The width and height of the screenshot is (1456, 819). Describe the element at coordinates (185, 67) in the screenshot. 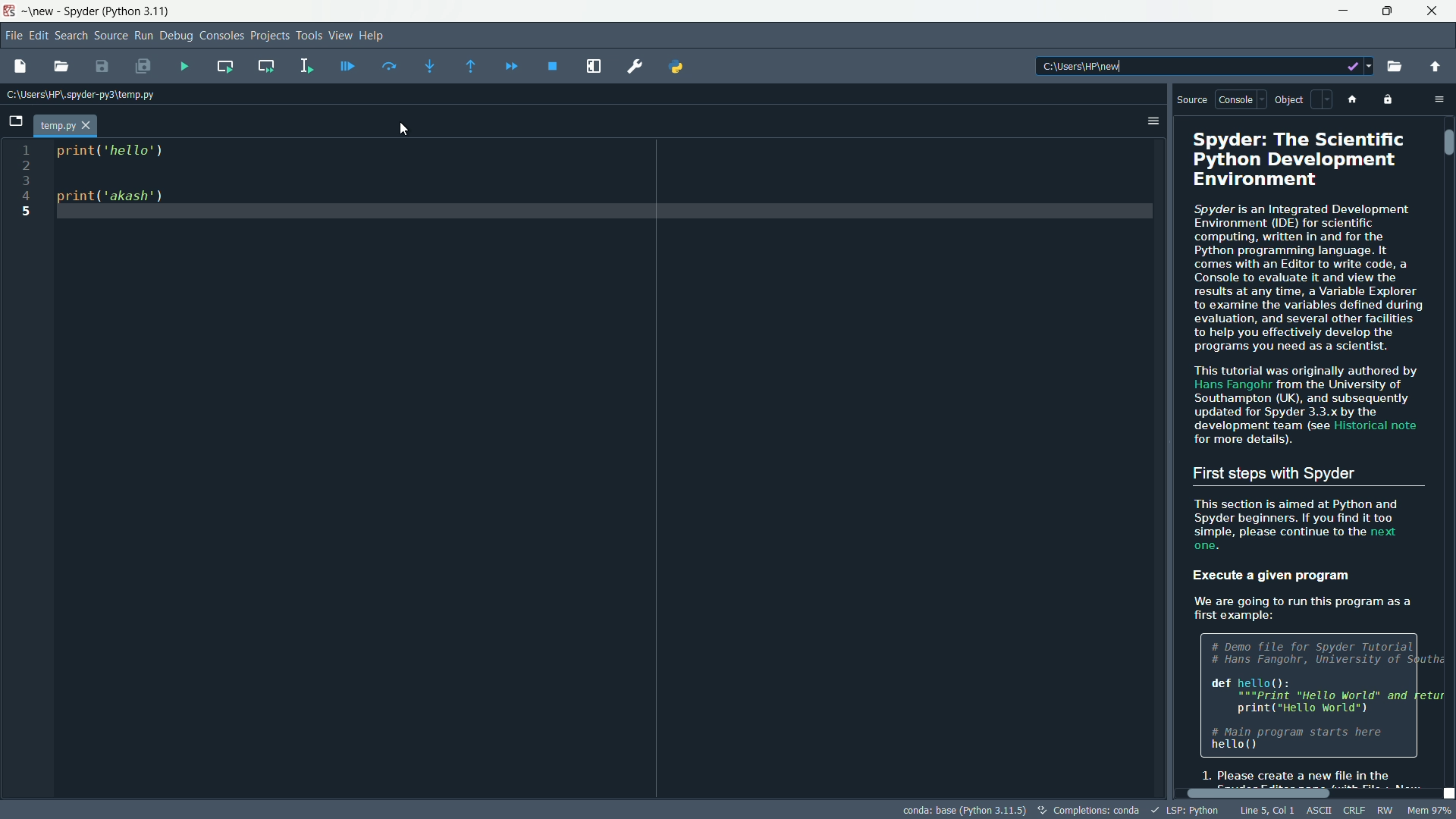

I see `run file` at that location.